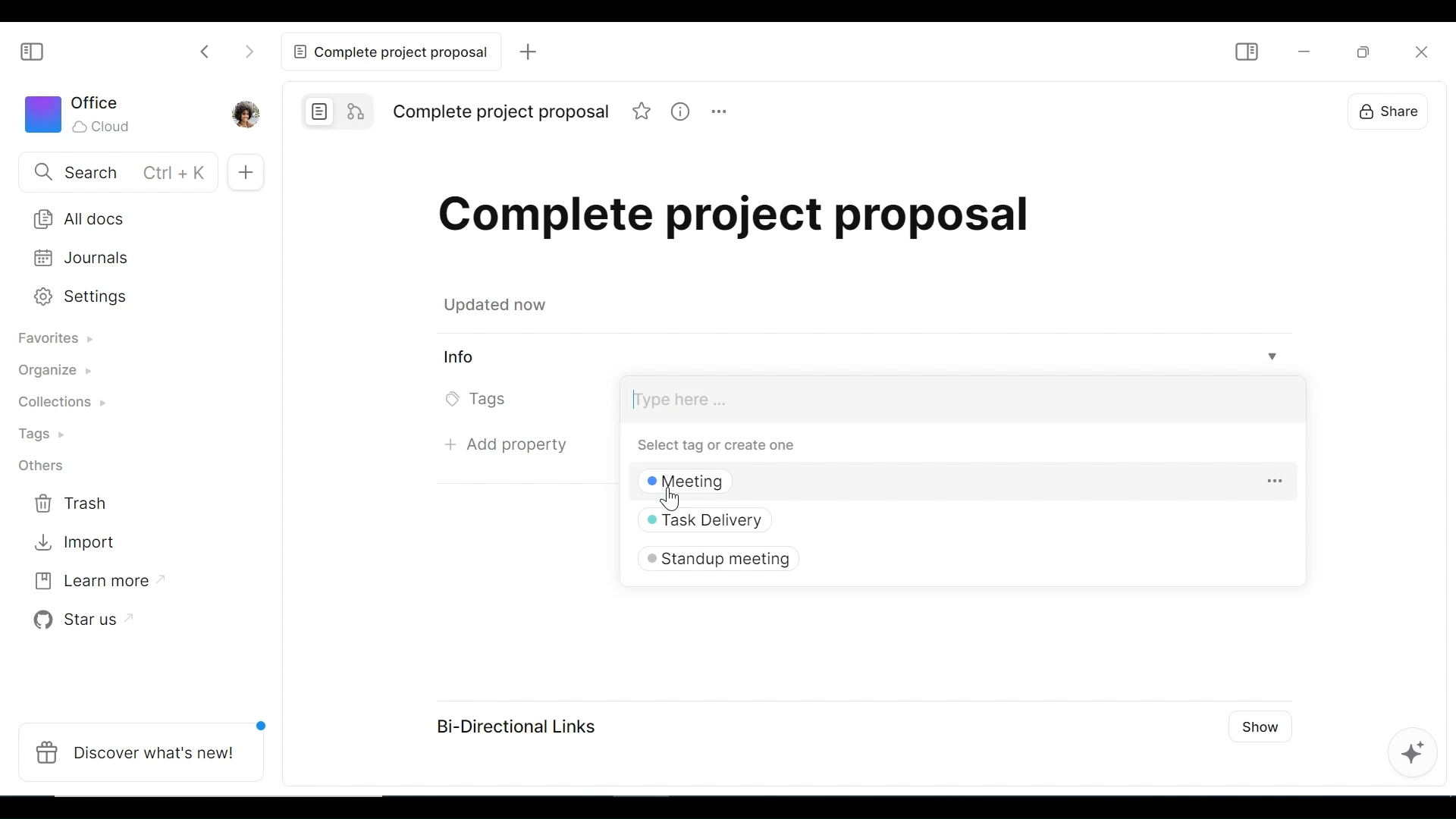 Image resolution: width=1456 pixels, height=819 pixels. I want to click on Close, so click(1421, 49).